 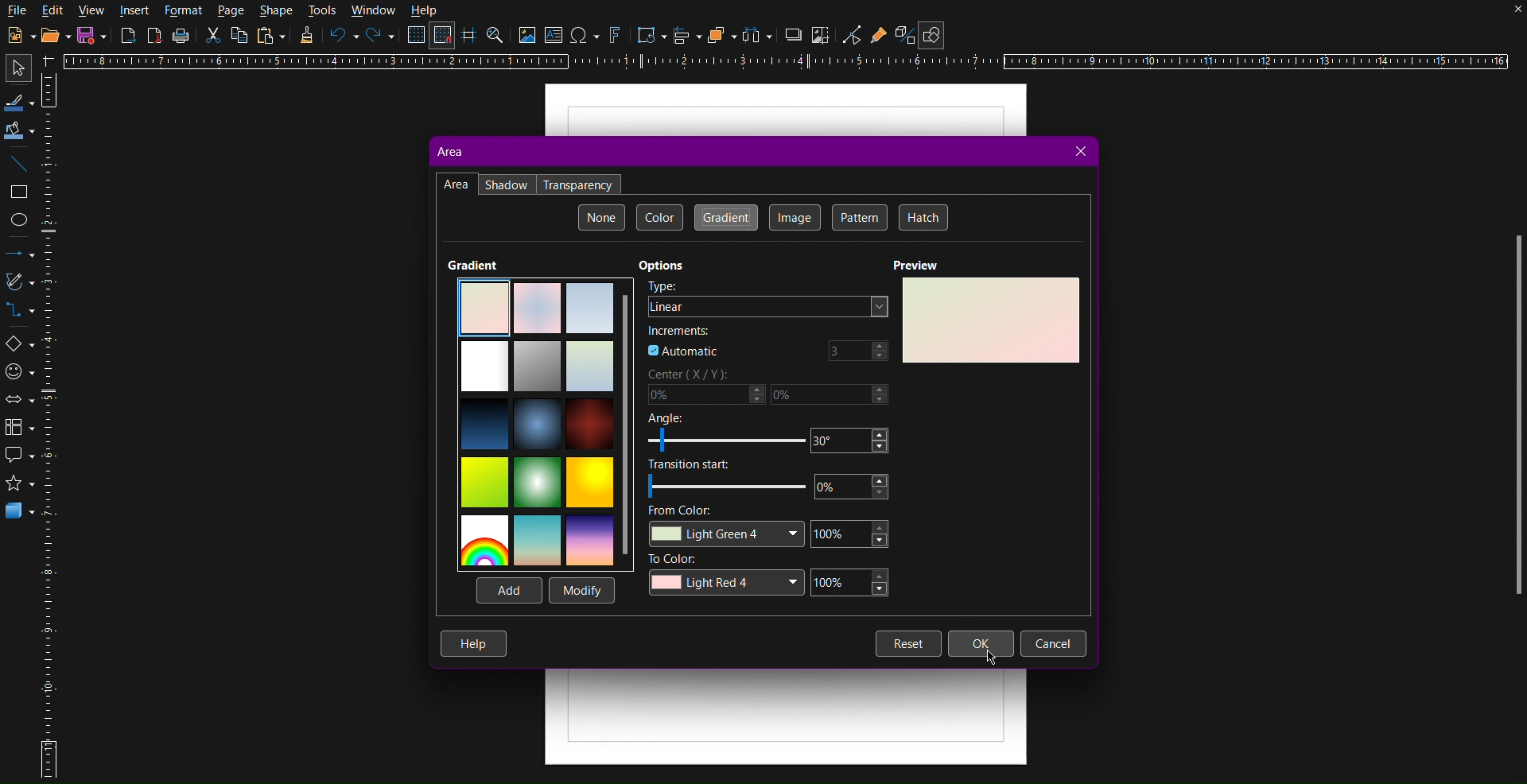 What do you see at coordinates (684, 351) in the screenshot?
I see `Automatic` at bounding box center [684, 351].